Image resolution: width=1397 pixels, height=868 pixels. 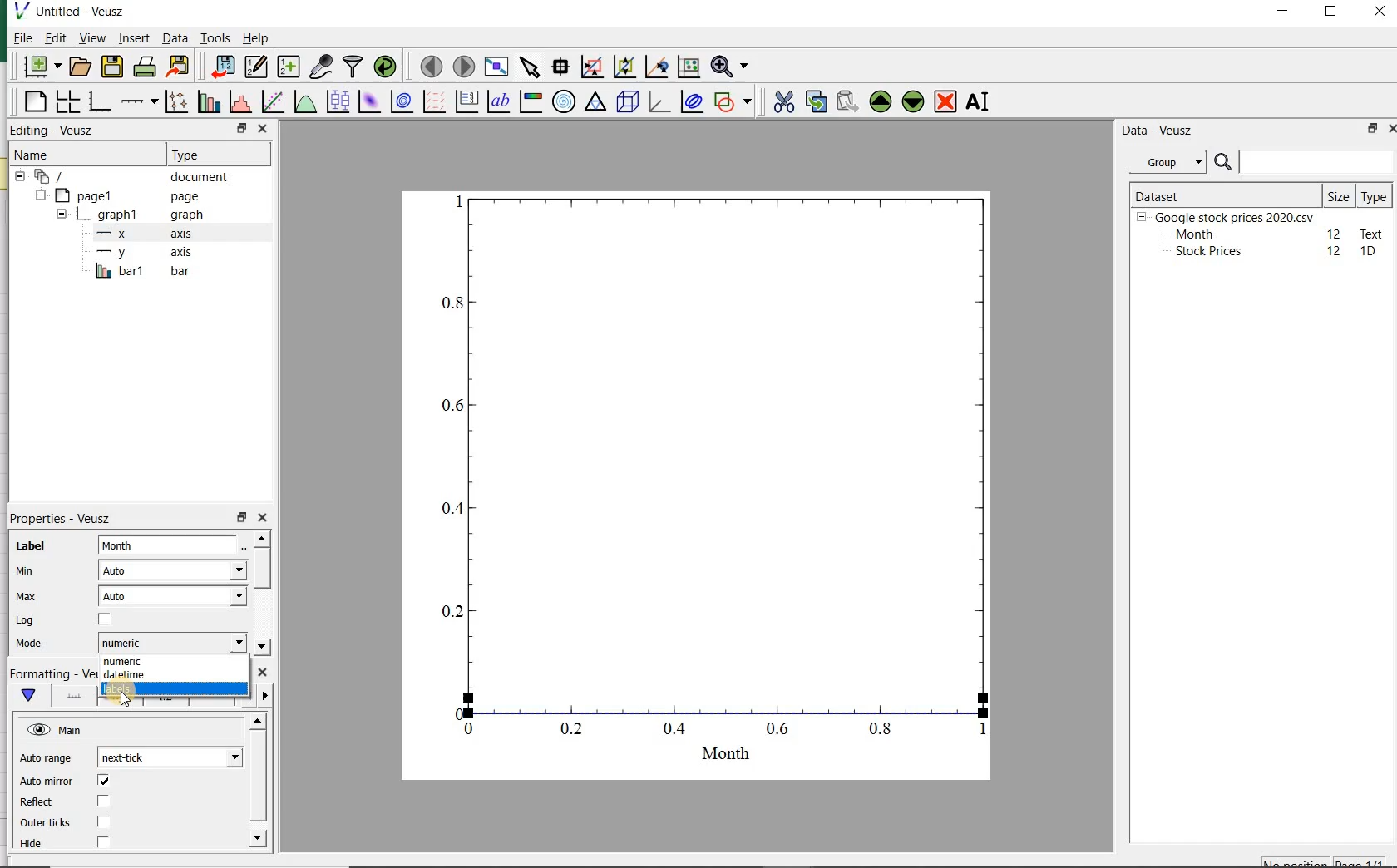 What do you see at coordinates (1228, 216) in the screenshot?
I see `Google stock prices 2020.csv` at bounding box center [1228, 216].